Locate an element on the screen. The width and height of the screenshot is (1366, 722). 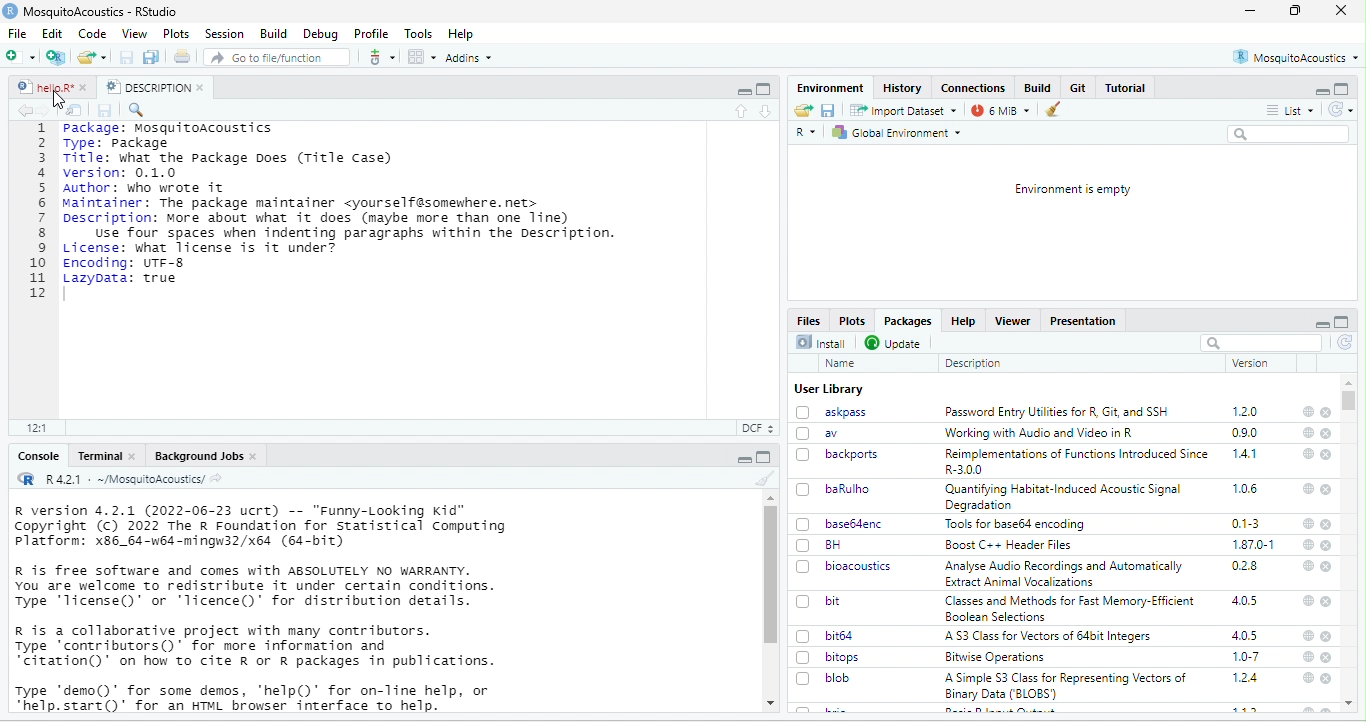
User Library is located at coordinates (828, 389).